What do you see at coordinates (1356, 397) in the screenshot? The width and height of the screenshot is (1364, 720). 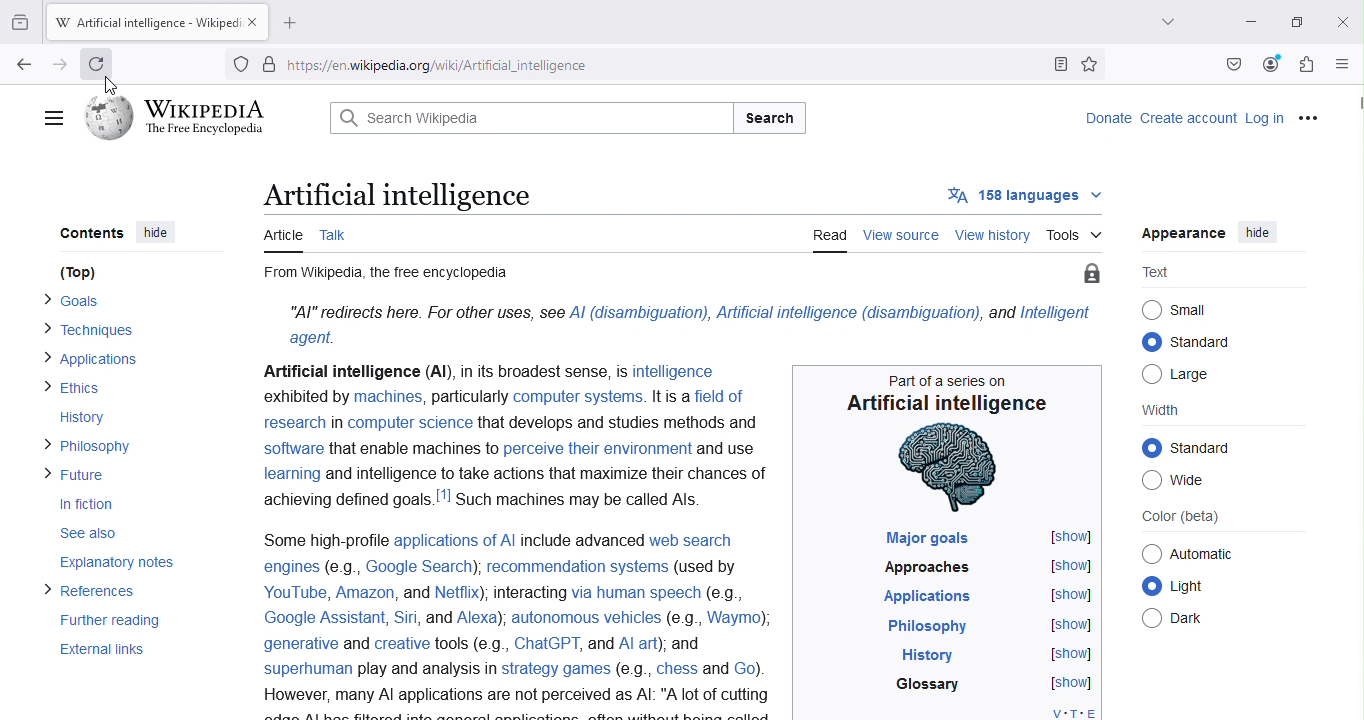 I see `Scroll bar` at bounding box center [1356, 397].